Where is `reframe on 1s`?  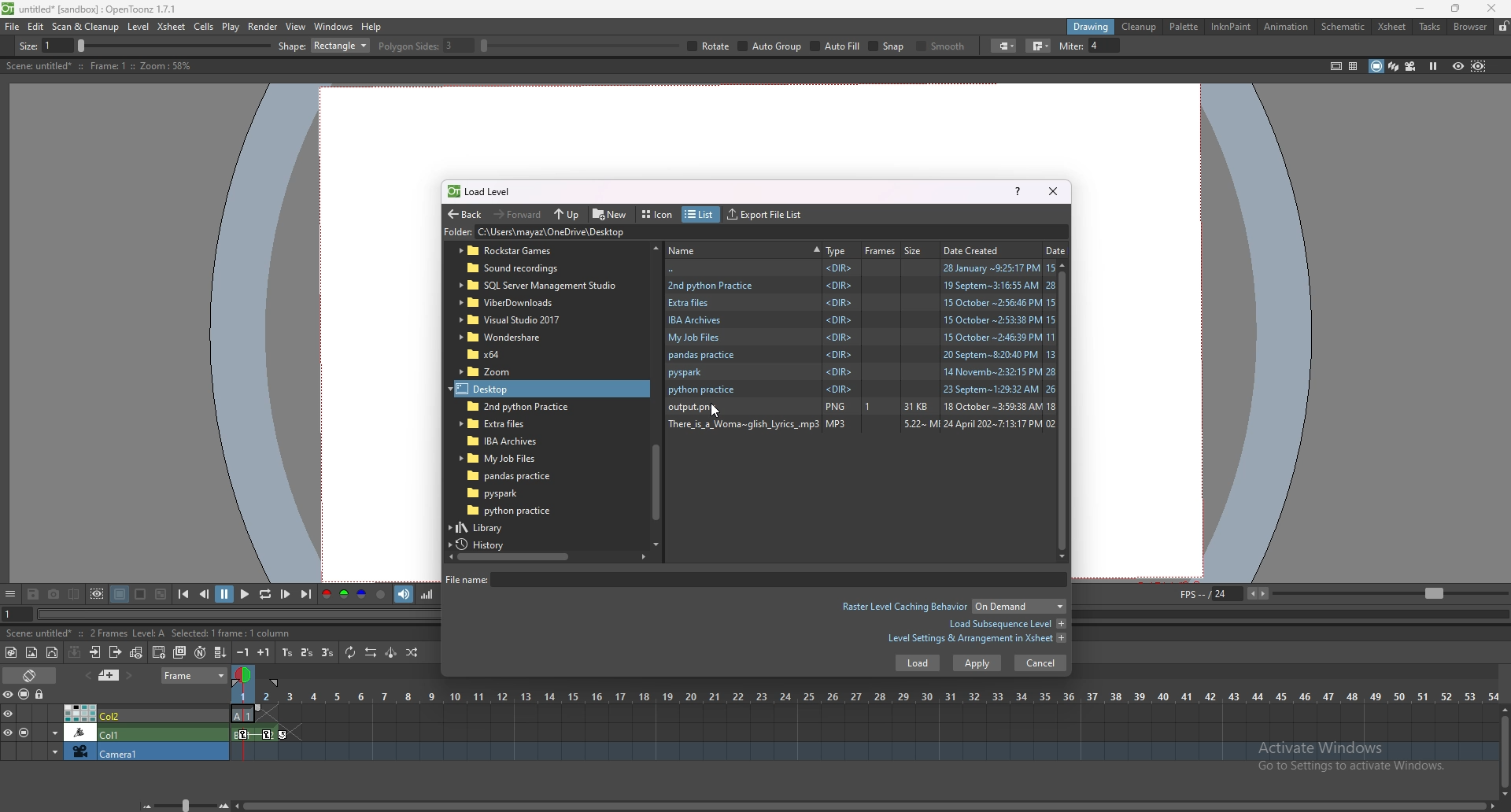 reframe on 1s is located at coordinates (289, 652).